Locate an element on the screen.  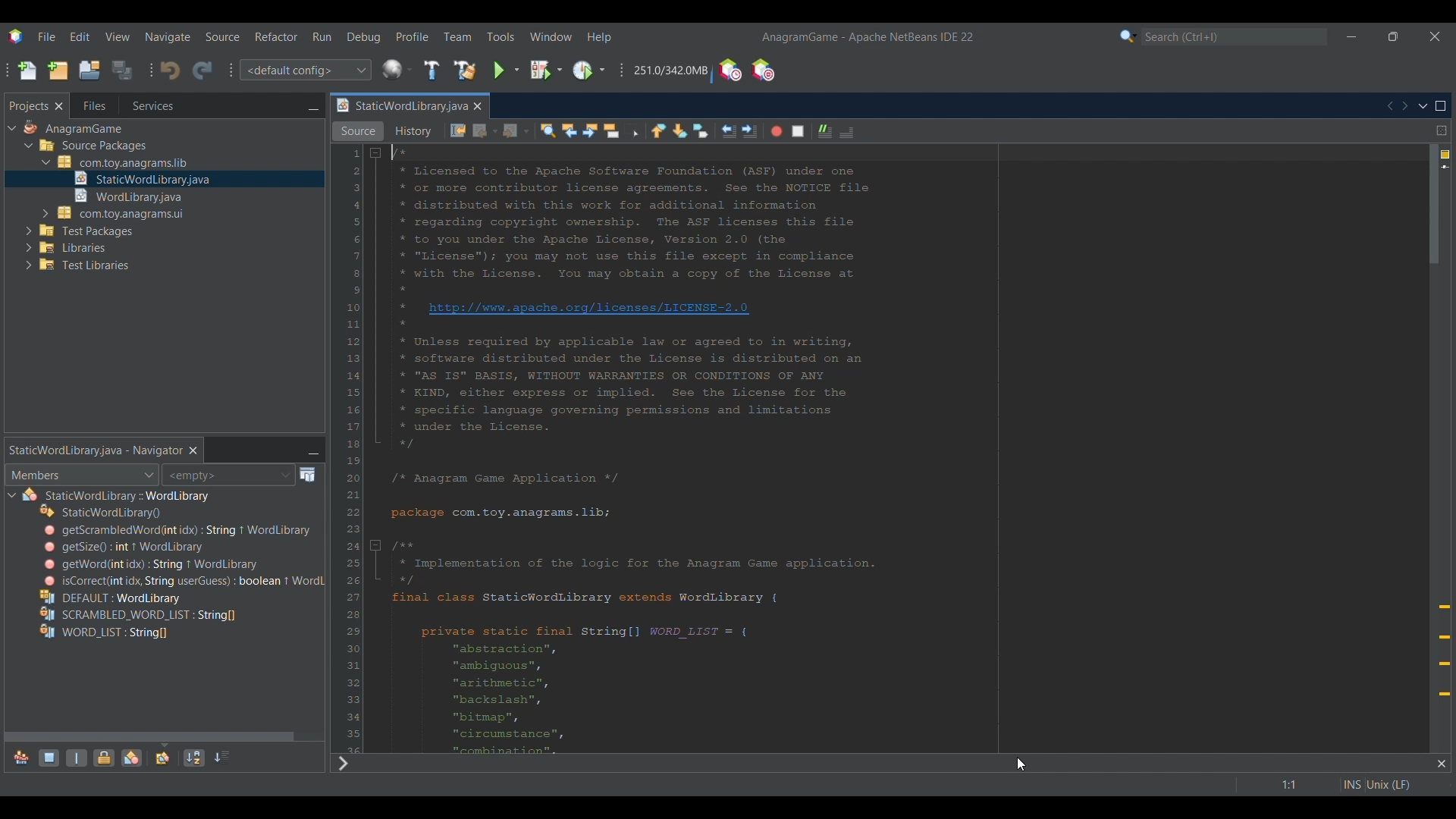
World Library is located at coordinates (397, 70).